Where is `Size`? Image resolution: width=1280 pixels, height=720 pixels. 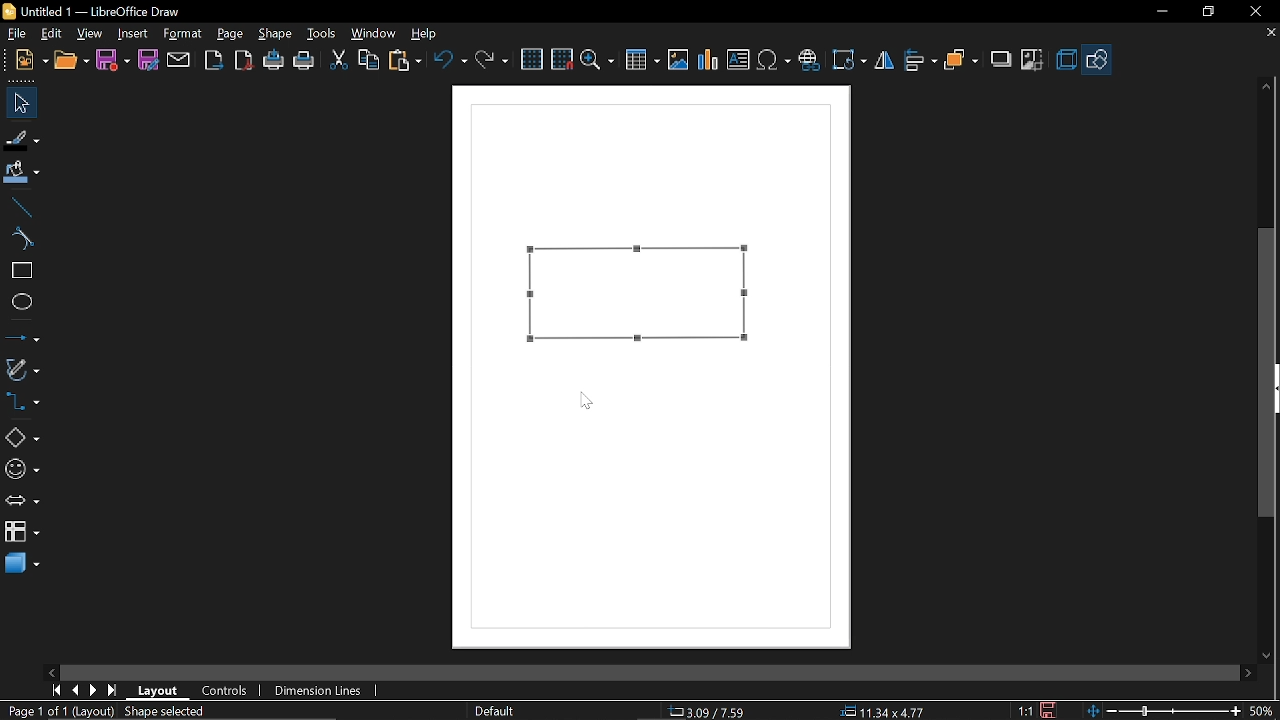
Size is located at coordinates (878, 710).